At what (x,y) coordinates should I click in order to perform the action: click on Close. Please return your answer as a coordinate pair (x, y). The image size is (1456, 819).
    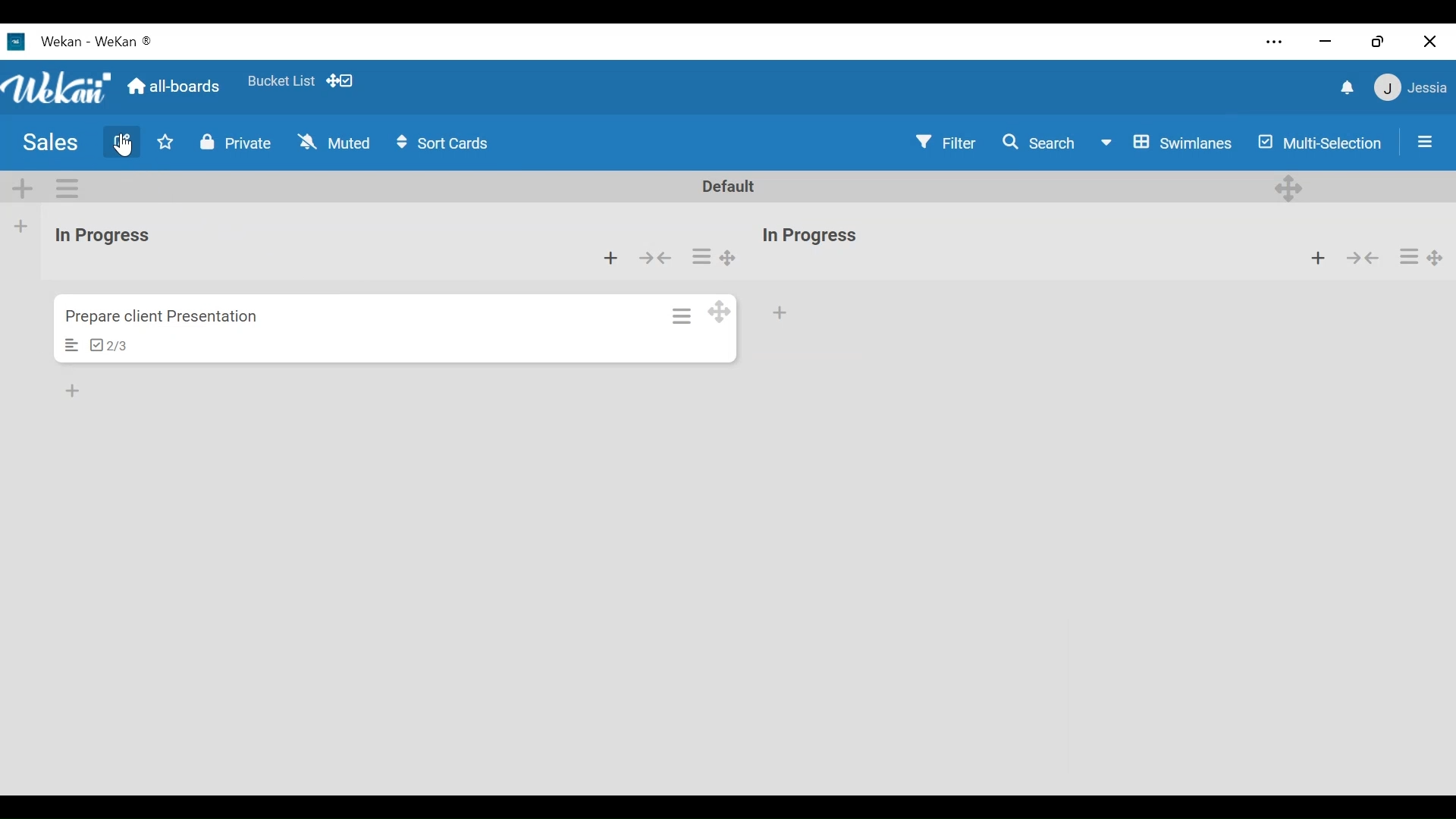
    Looking at the image, I should click on (1429, 43).